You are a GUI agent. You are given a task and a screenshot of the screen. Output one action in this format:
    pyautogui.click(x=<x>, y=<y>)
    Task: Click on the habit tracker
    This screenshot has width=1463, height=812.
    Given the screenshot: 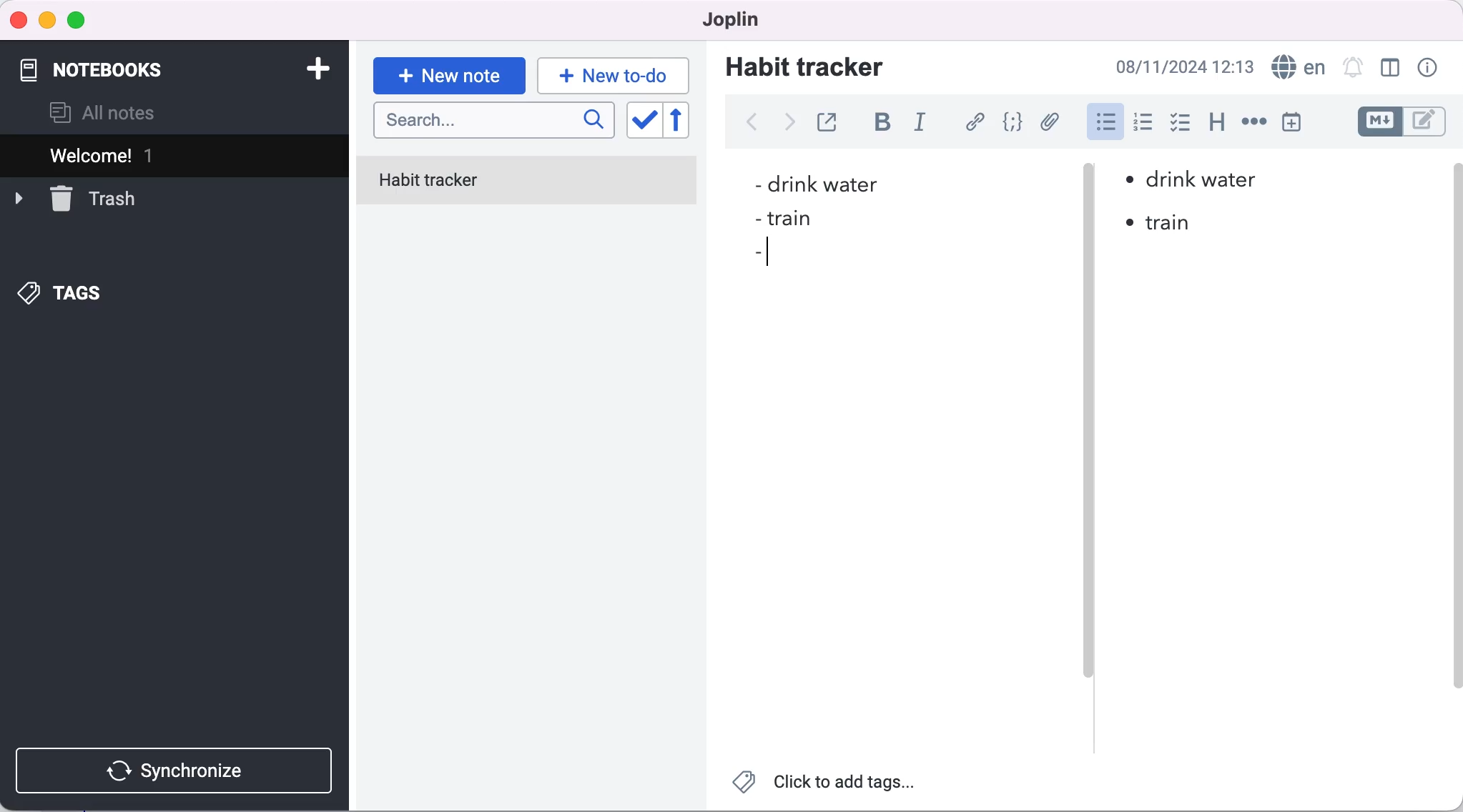 What is the action you would take?
    pyautogui.click(x=804, y=66)
    